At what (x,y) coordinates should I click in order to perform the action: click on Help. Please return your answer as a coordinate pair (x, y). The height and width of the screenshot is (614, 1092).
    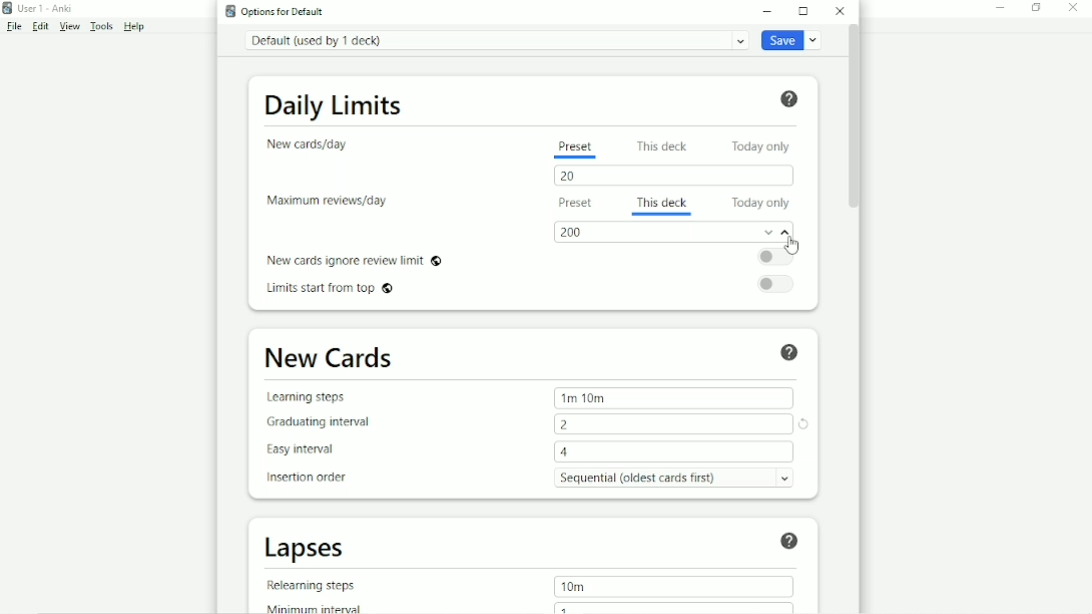
    Looking at the image, I should click on (789, 98).